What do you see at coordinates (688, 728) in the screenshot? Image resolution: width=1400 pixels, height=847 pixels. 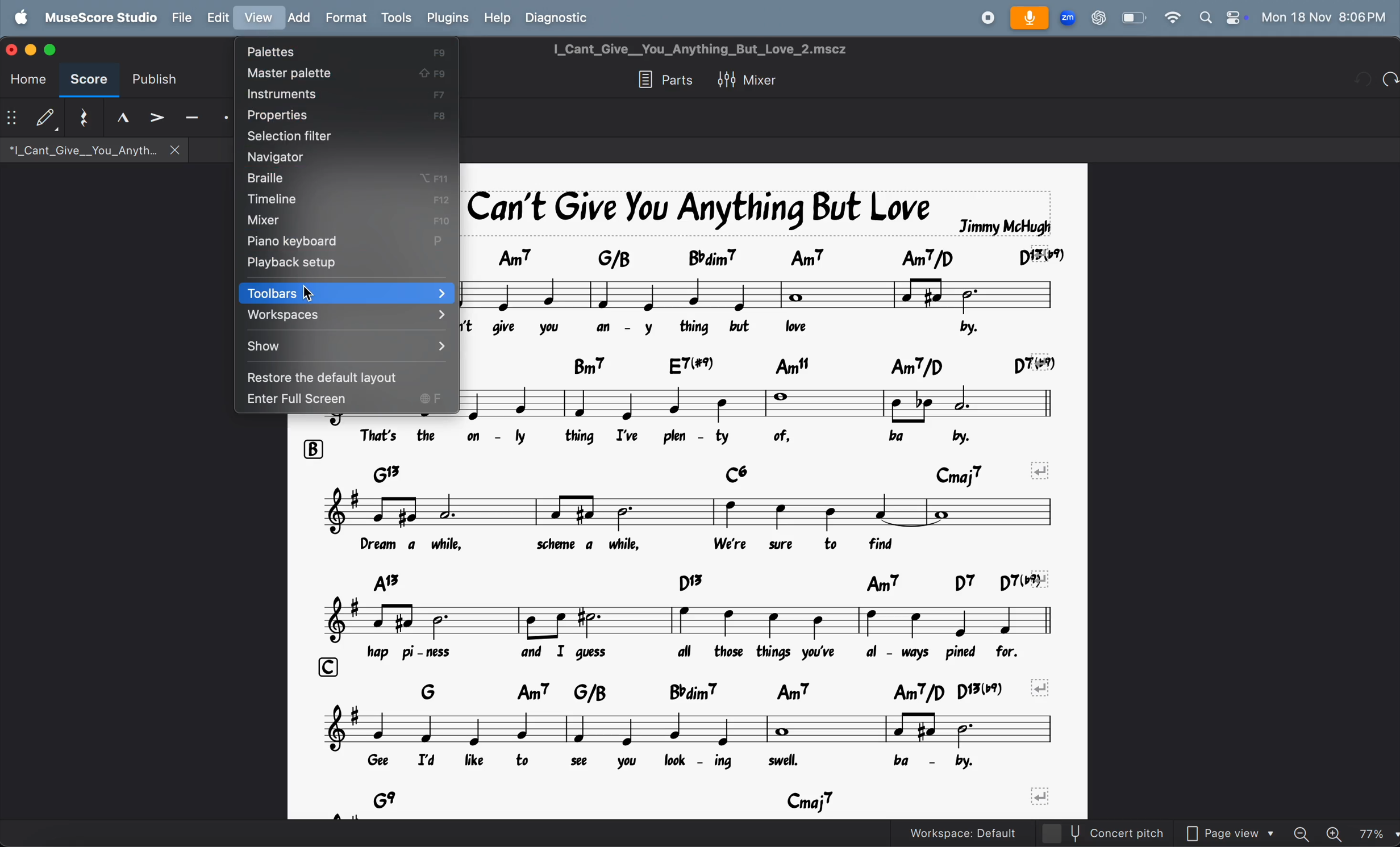 I see `notes` at bounding box center [688, 728].